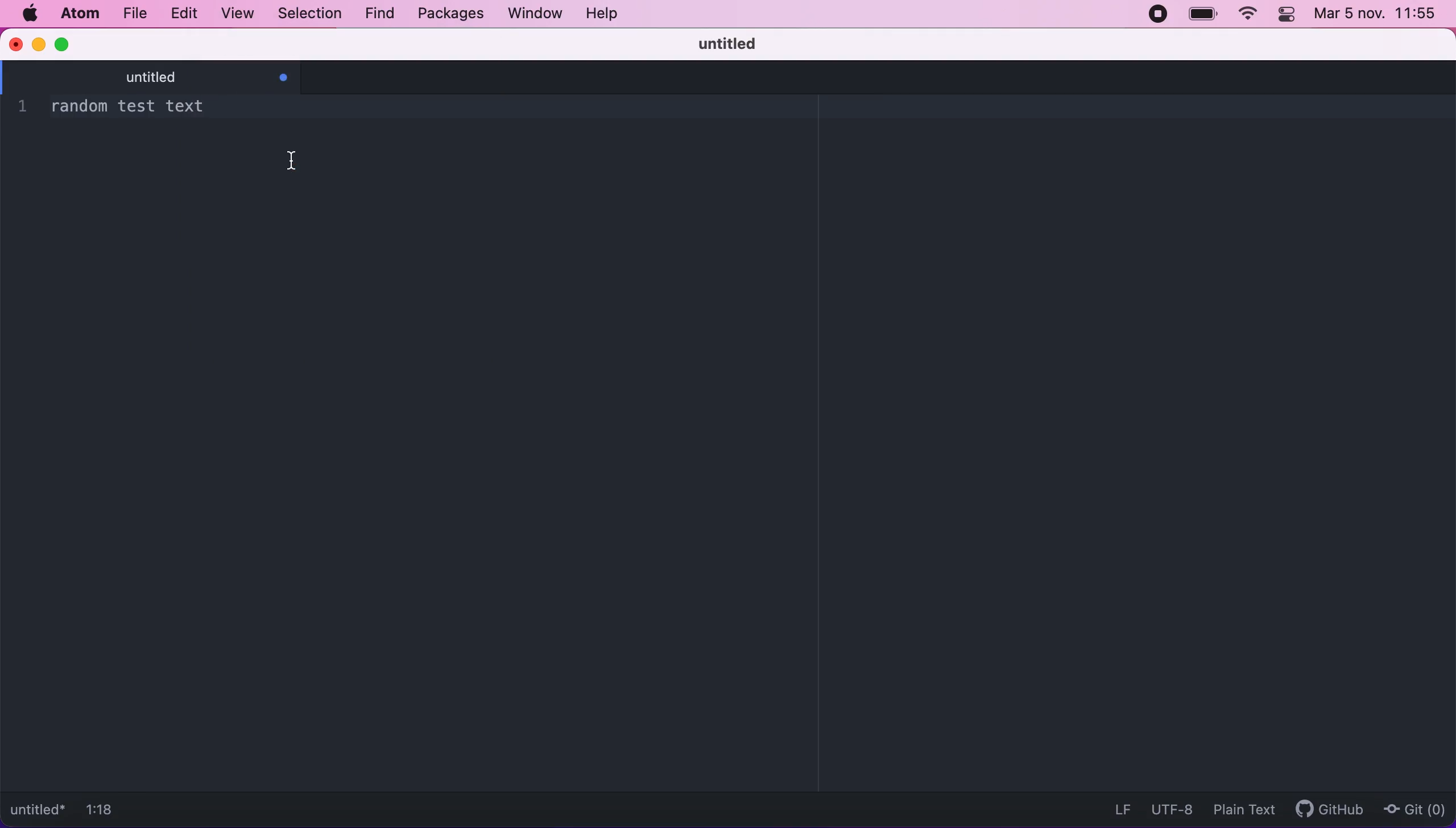  Describe the element at coordinates (1374, 15) in the screenshot. I see `Mar 5 nov. 11:55` at that location.